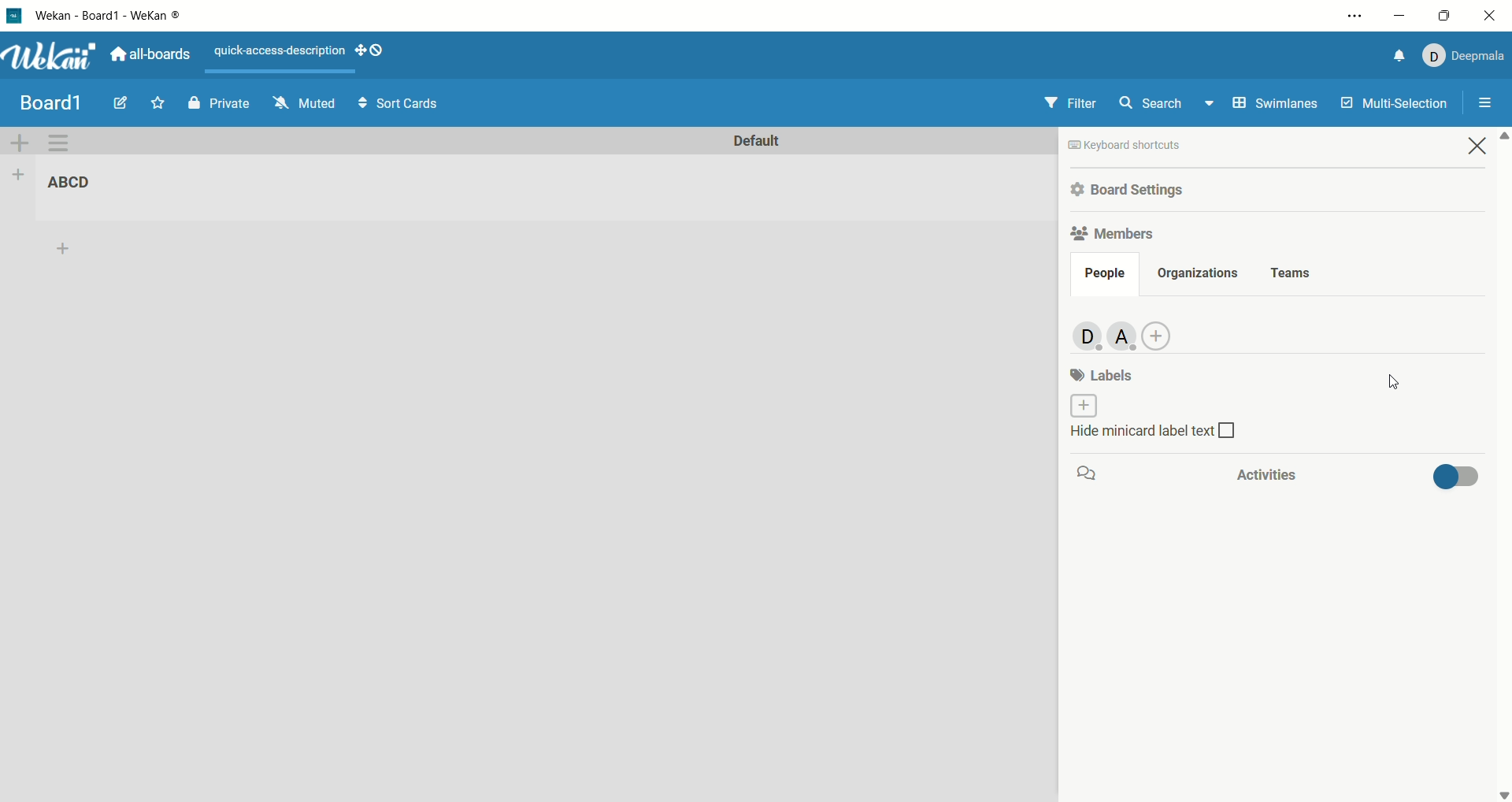 This screenshot has width=1512, height=802. Describe the element at coordinates (1292, 274) in the screenshot. I see `teams` at that location.